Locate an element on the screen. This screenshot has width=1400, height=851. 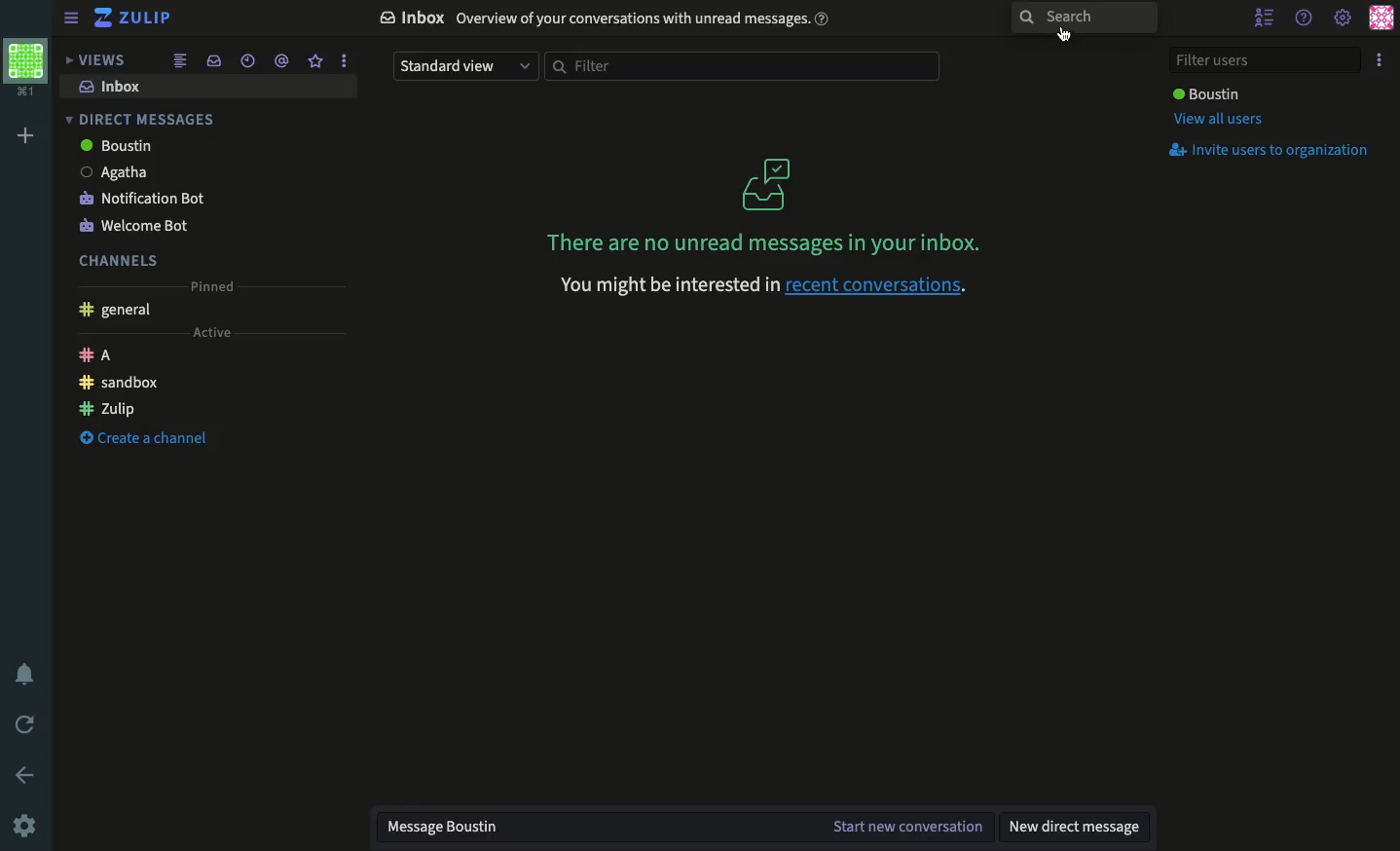
Create a channe is located at coordinates (144, 438).